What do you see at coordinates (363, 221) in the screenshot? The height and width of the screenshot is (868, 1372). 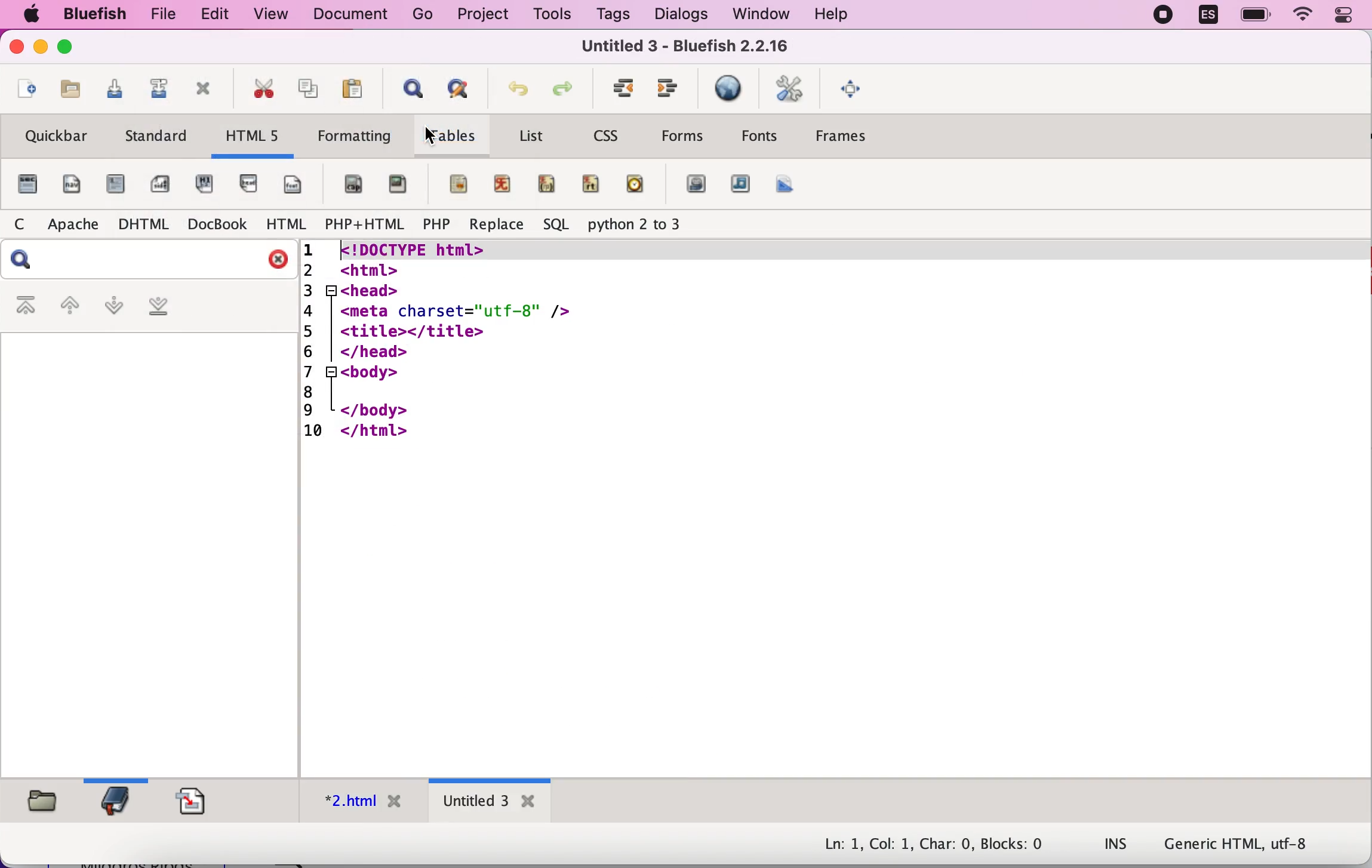 I see `PHP + HTML` at bounding box center [363, 221].